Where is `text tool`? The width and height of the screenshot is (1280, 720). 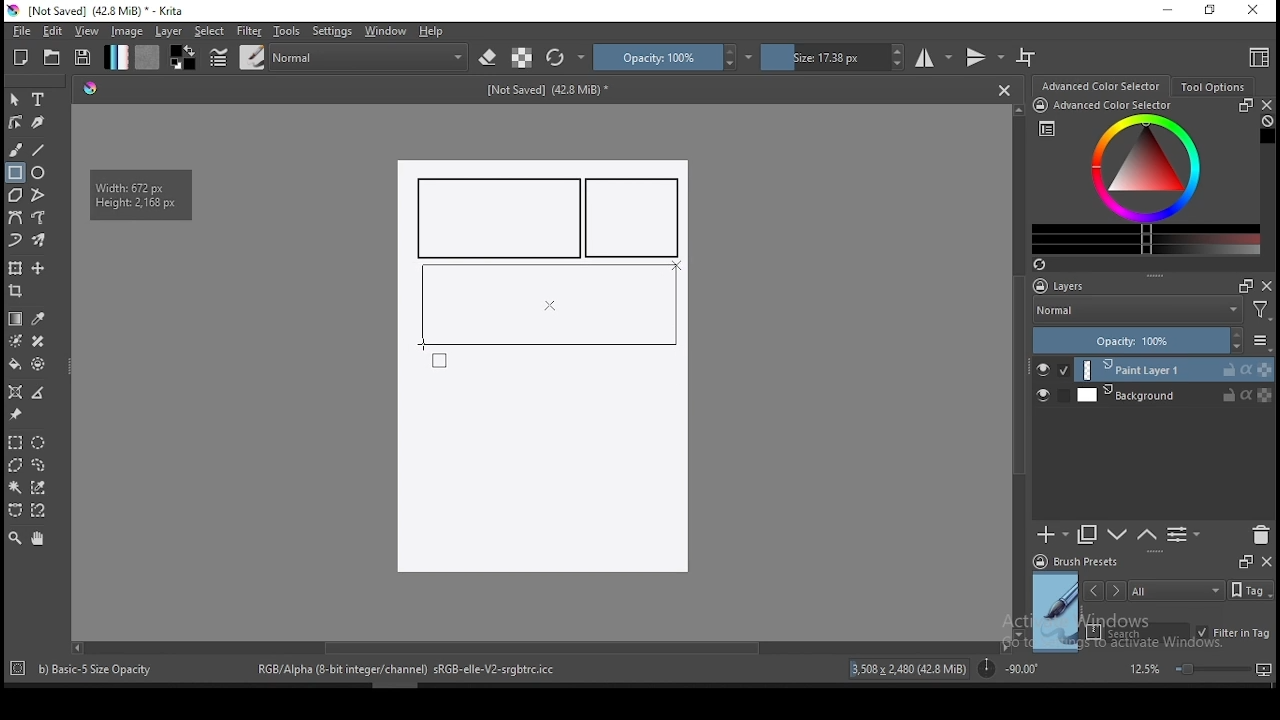 text tool is located at coordinates (39, 100).